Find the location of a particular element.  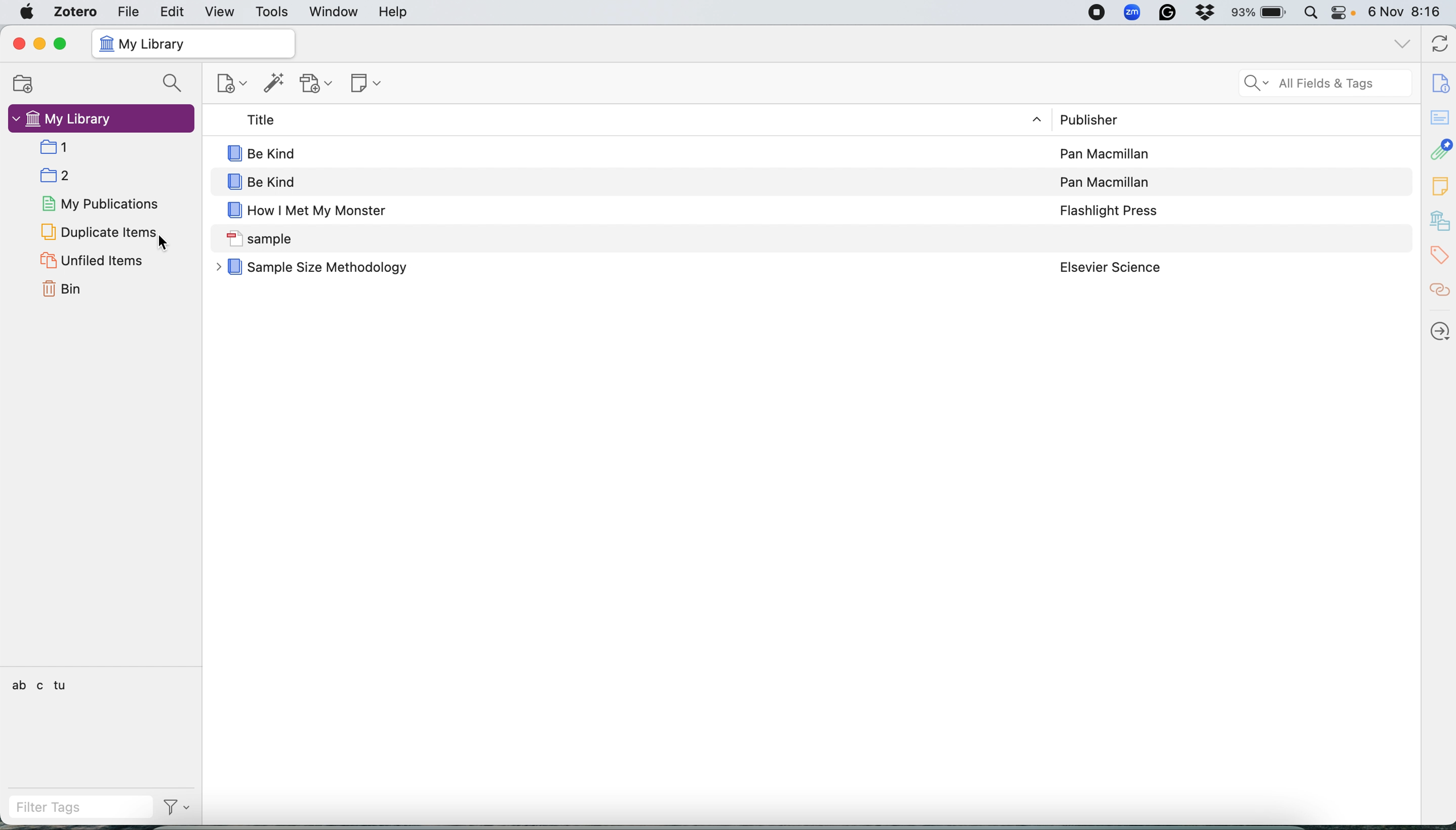

spotlight search is located at coordinates (1310, 11).